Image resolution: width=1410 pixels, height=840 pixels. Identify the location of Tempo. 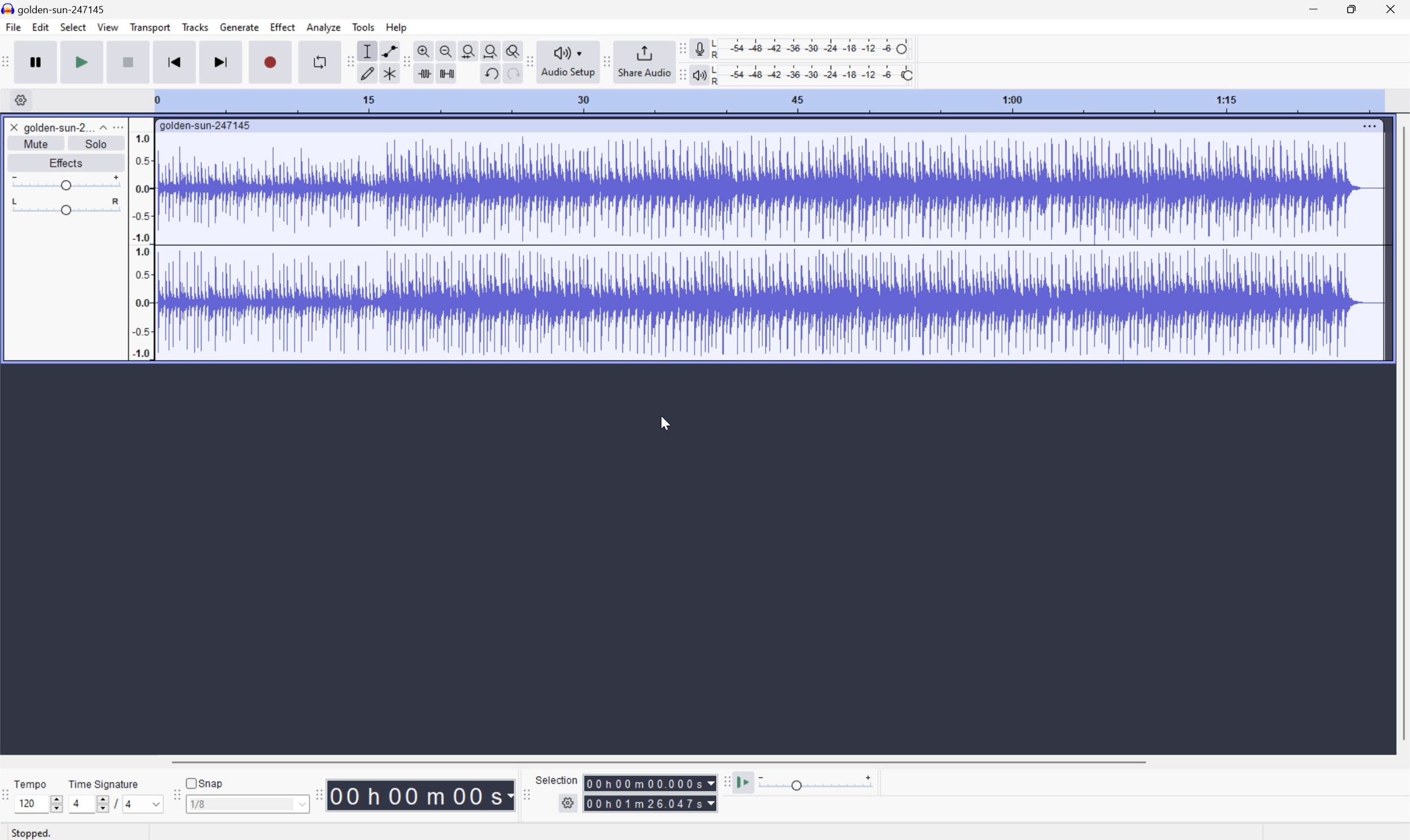
(31, 783).